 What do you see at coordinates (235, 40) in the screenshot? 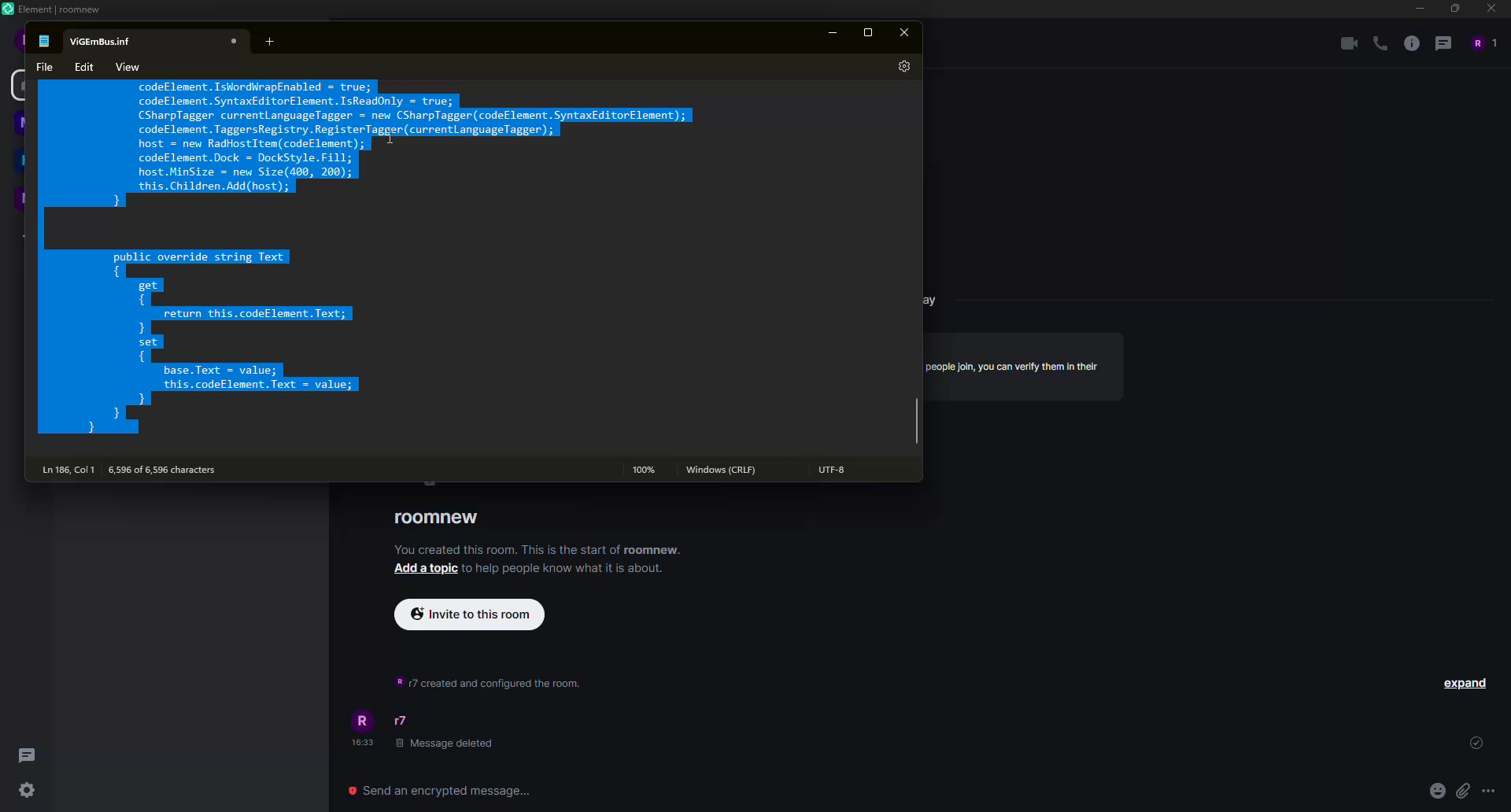
I see `close` at bounding box center [235, 40].